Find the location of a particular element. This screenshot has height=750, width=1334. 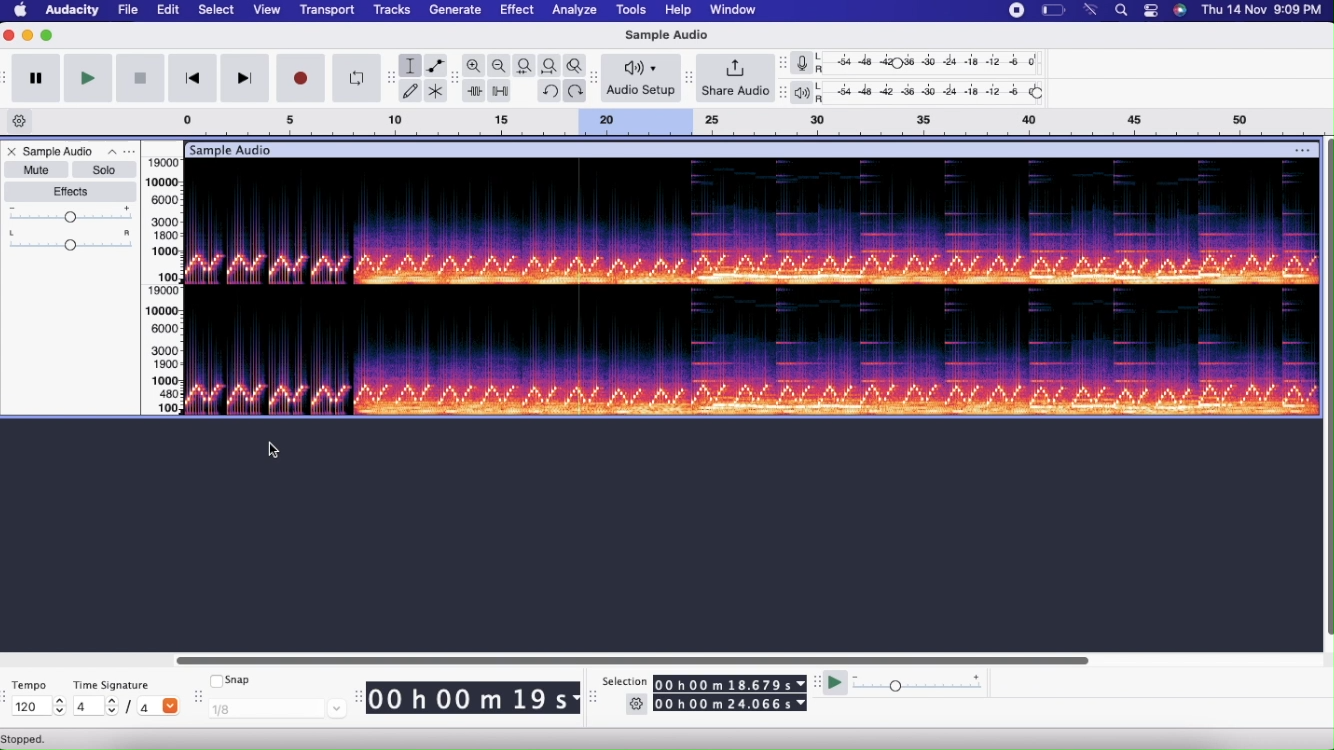

Play is located at coordinates (90, 78).